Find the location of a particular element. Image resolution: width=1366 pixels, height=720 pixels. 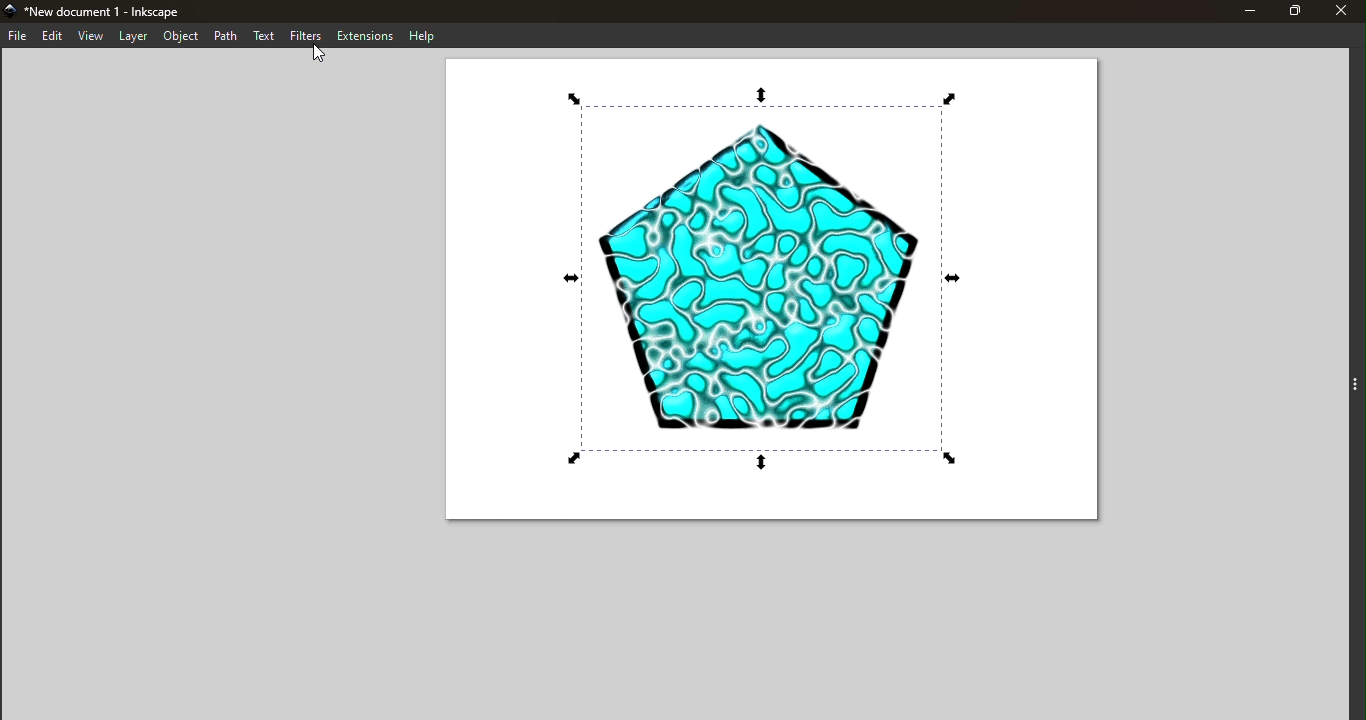

Filters is located at coordinates (308, 36).